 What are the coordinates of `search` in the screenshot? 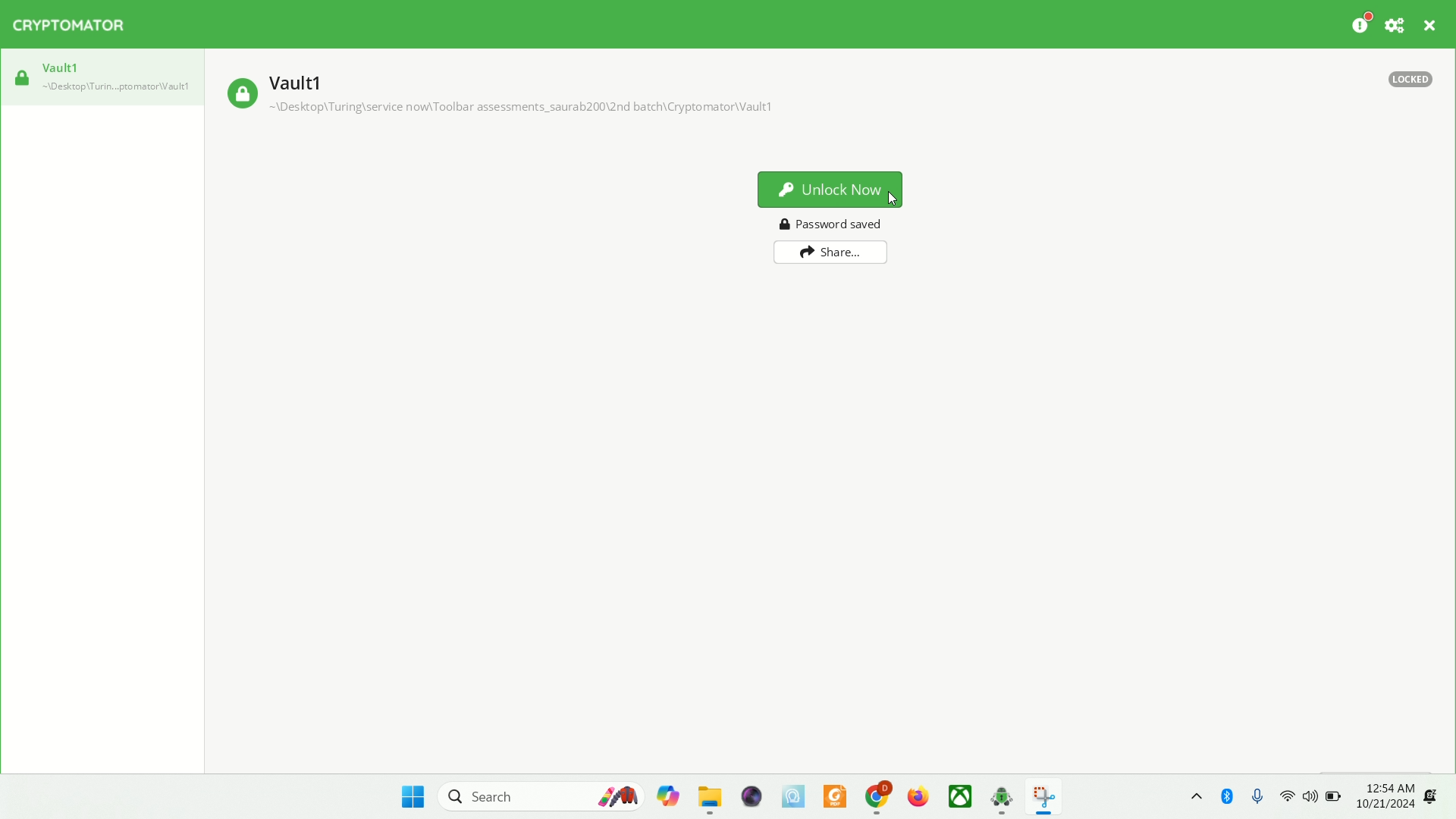 It's located at (542, 798).